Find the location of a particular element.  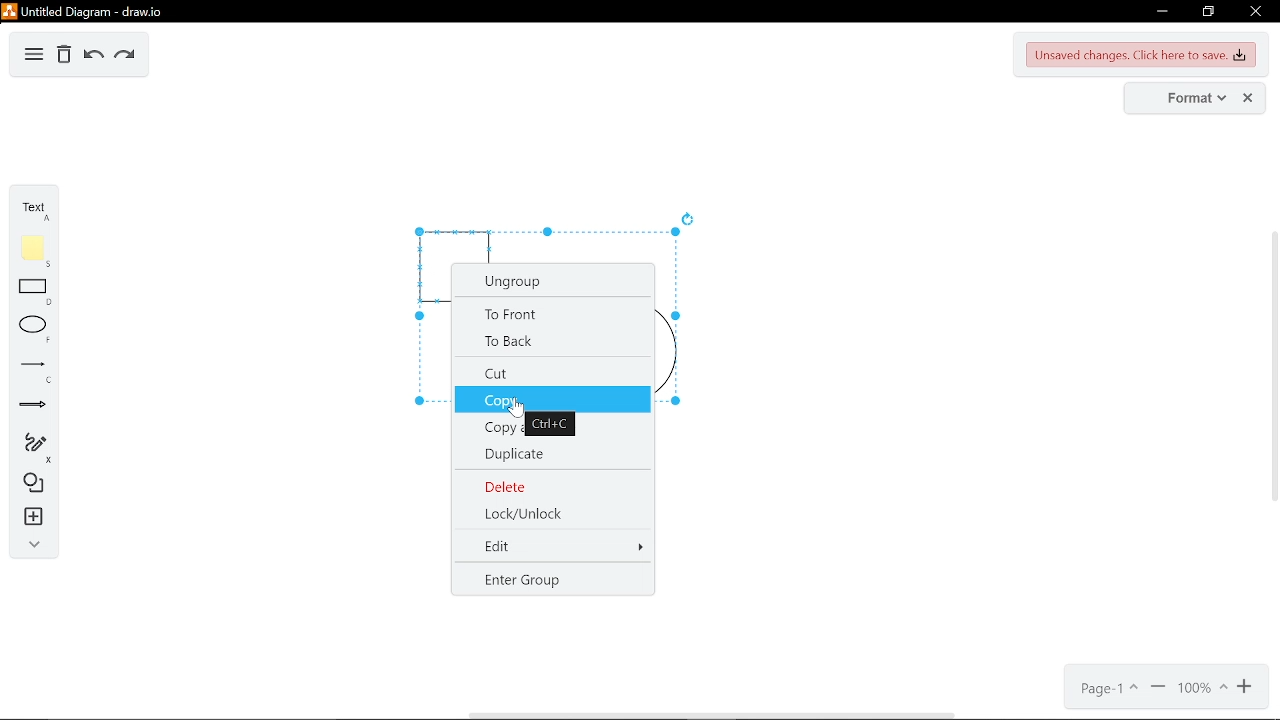

redo is located at coordinates (124, 55).